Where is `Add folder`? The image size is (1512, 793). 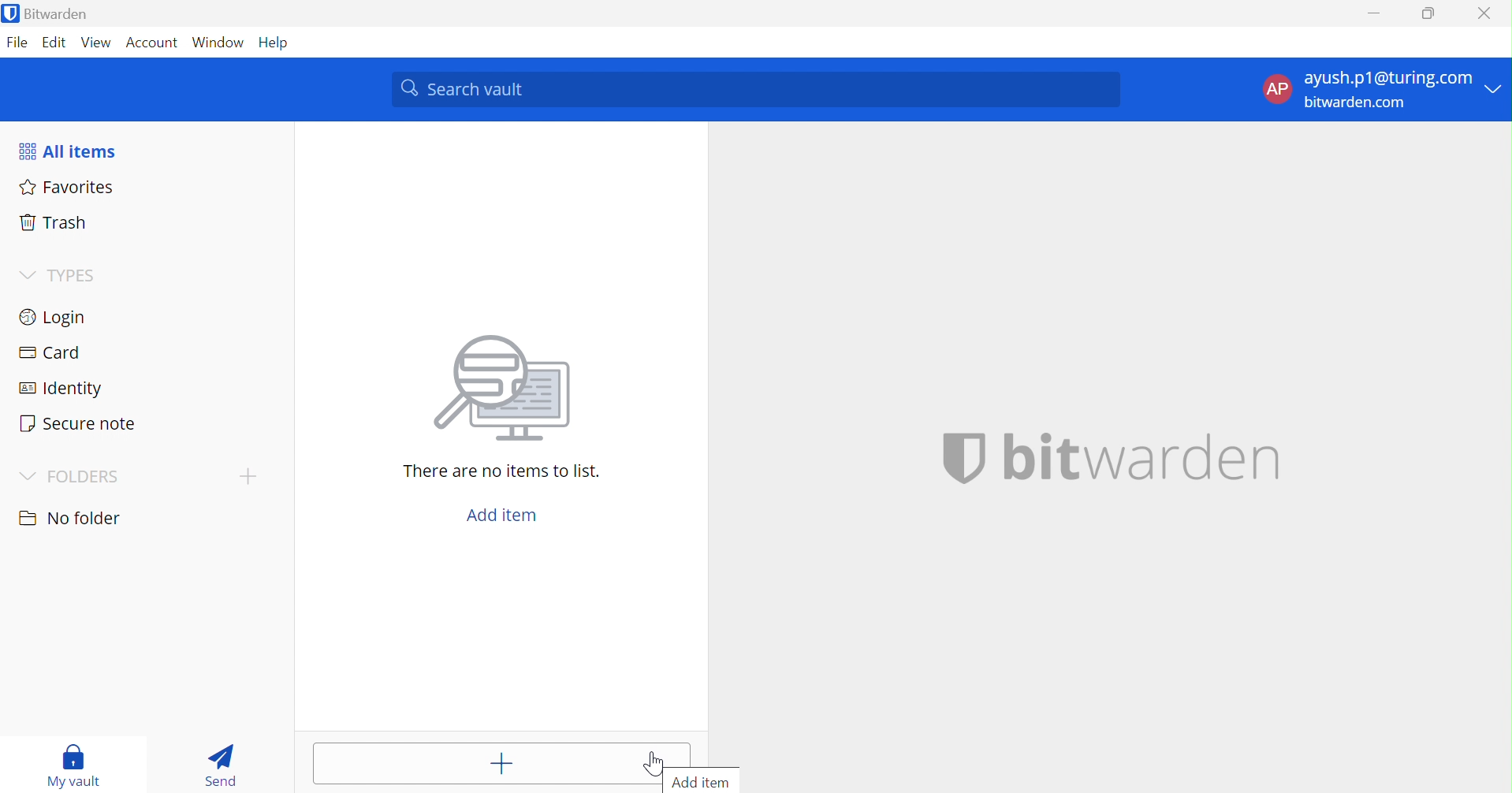 Add folder is located at coordinates (248, 477).